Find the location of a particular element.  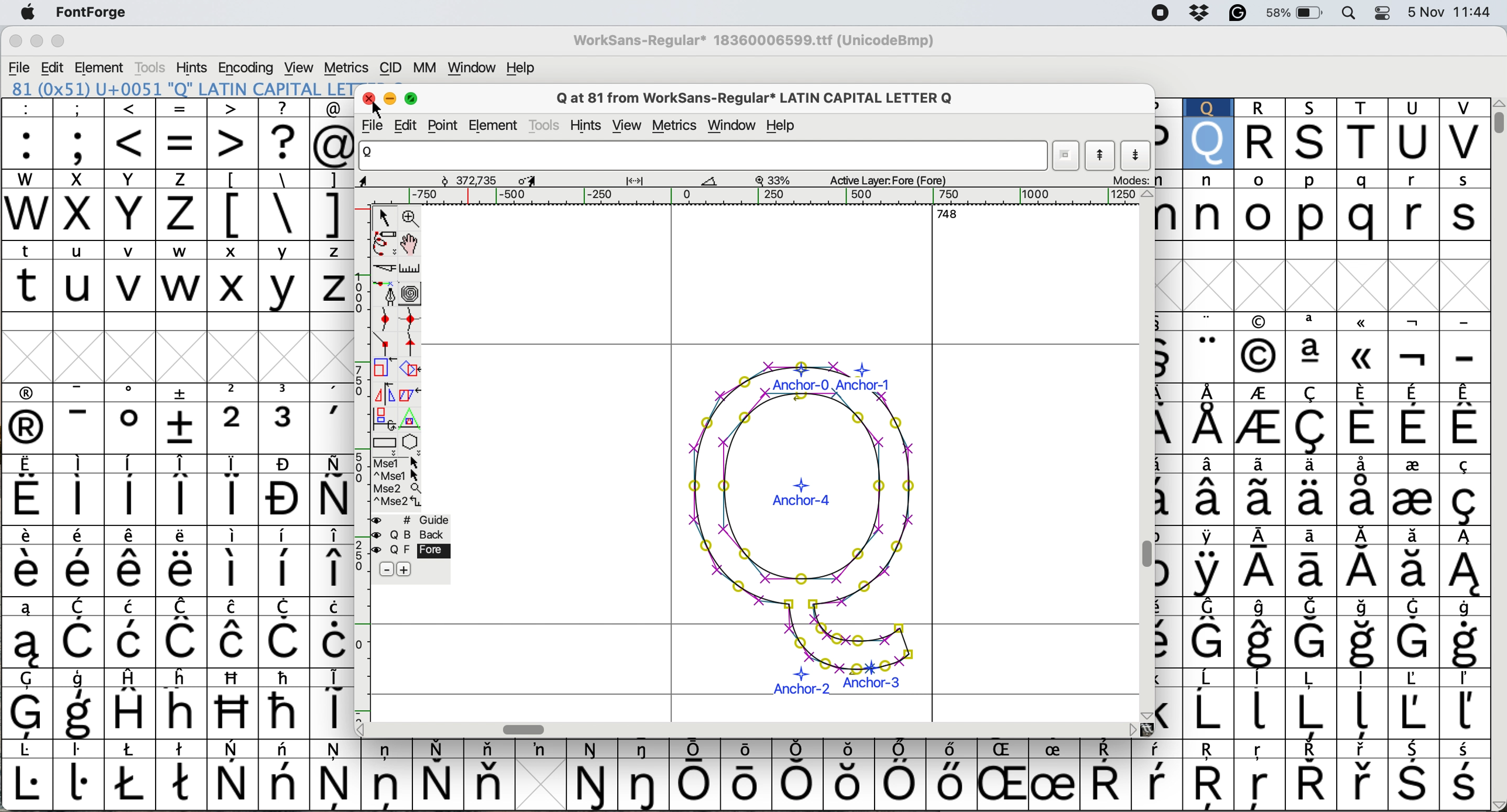

measure distance is located at coordinates (412, 270).